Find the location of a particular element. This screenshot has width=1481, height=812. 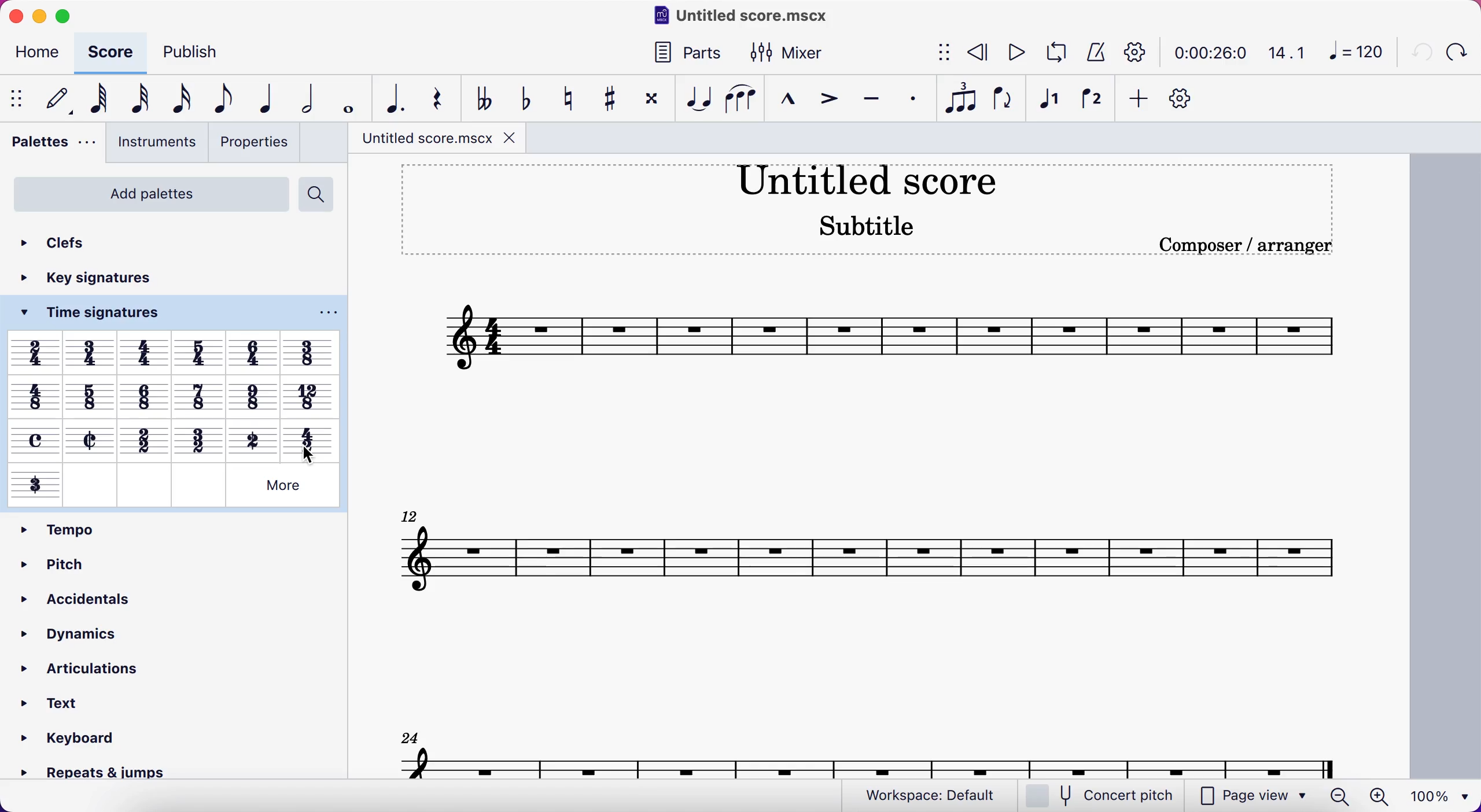

toggle double flat is located at coordinates (480, 97).